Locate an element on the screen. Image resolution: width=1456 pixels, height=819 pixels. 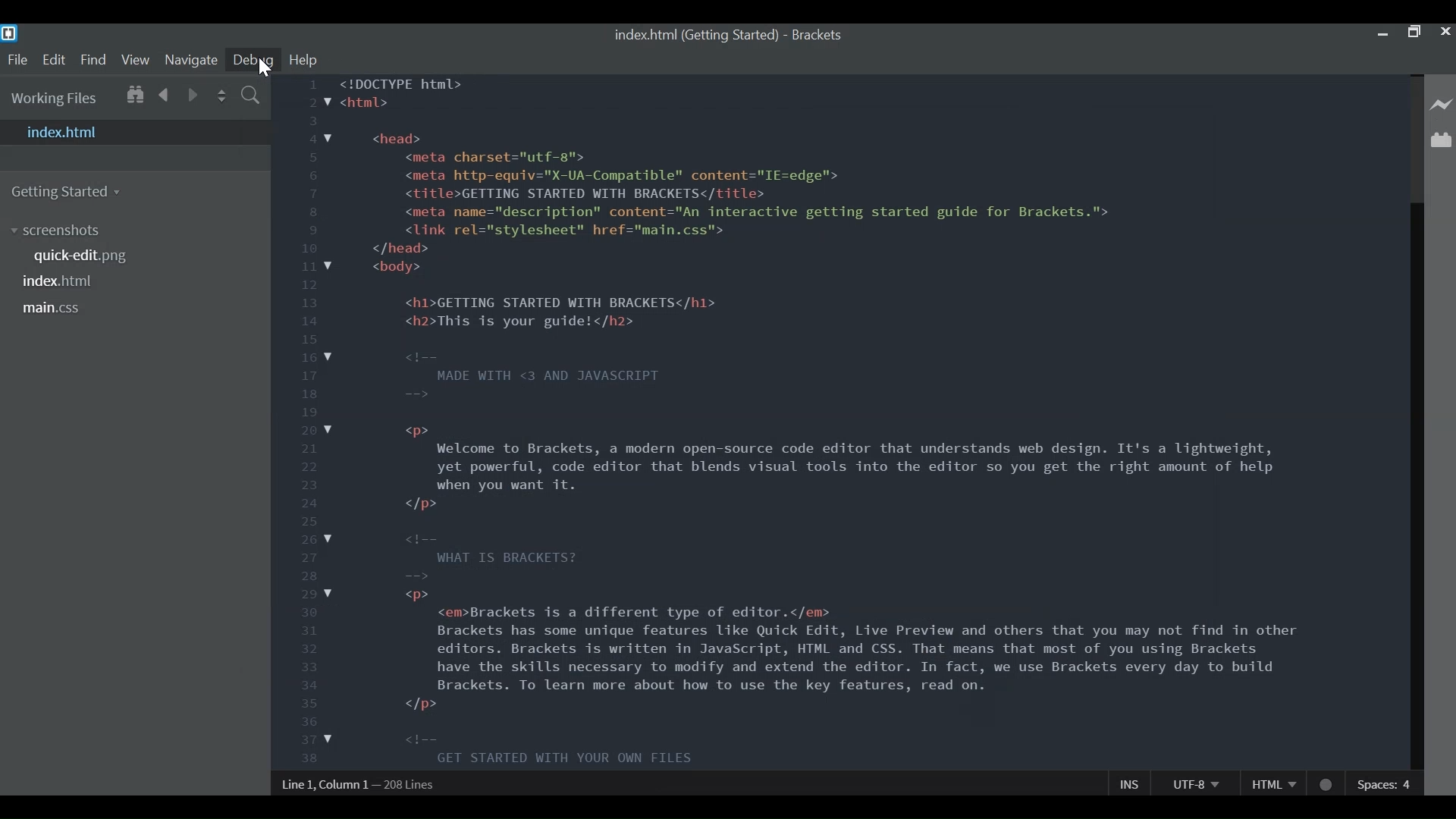
UTF-8 is located at coordinates (1193, 783).